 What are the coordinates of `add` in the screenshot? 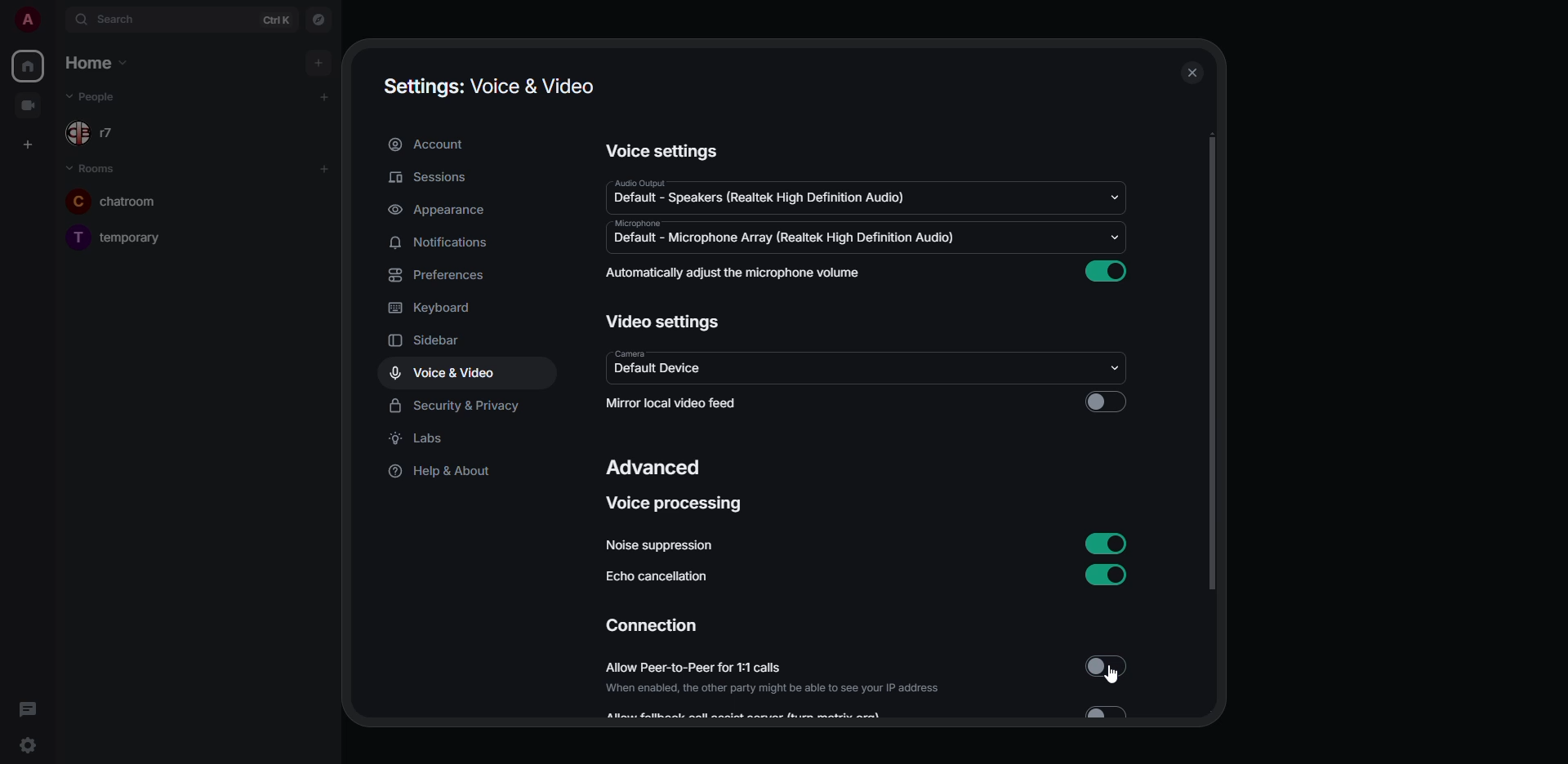 It's located at (319, 62).